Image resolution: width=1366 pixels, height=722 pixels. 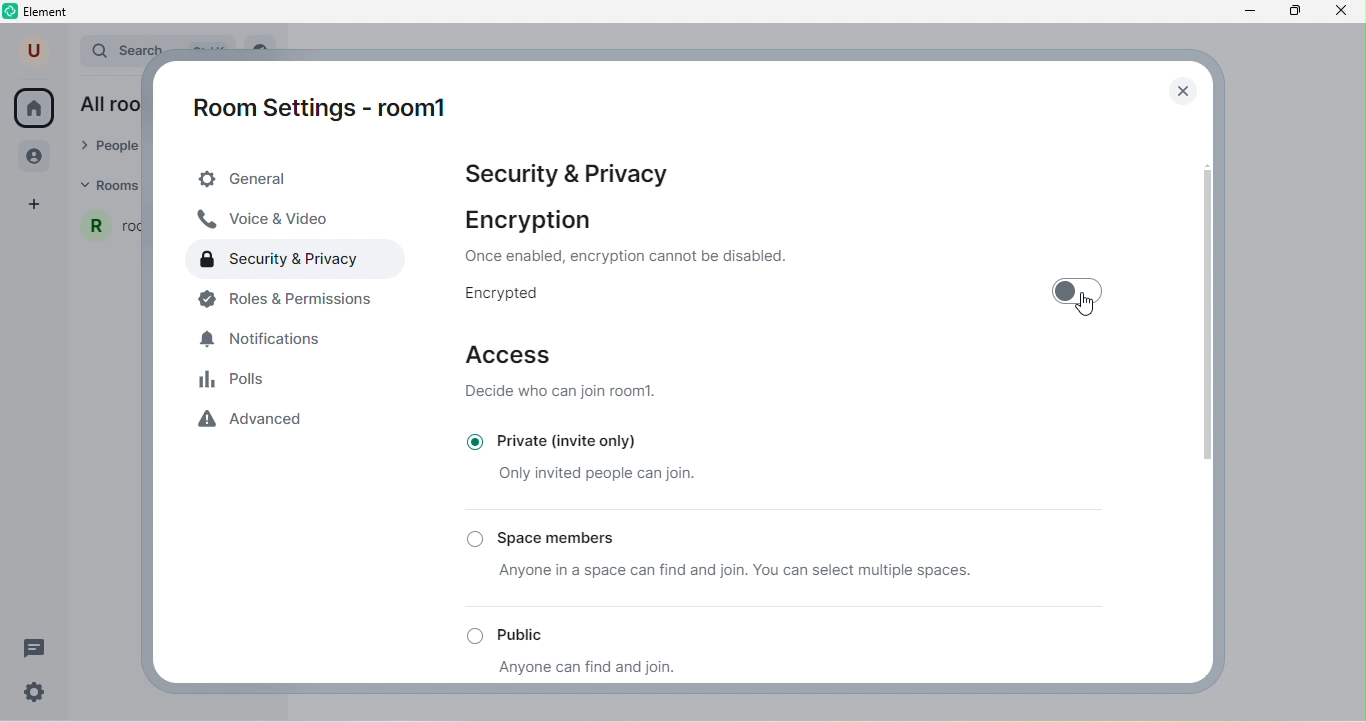 What do you see at coordinates (36, 205) in the screenshot?
I see `add space` at bounding box center [36, 205].